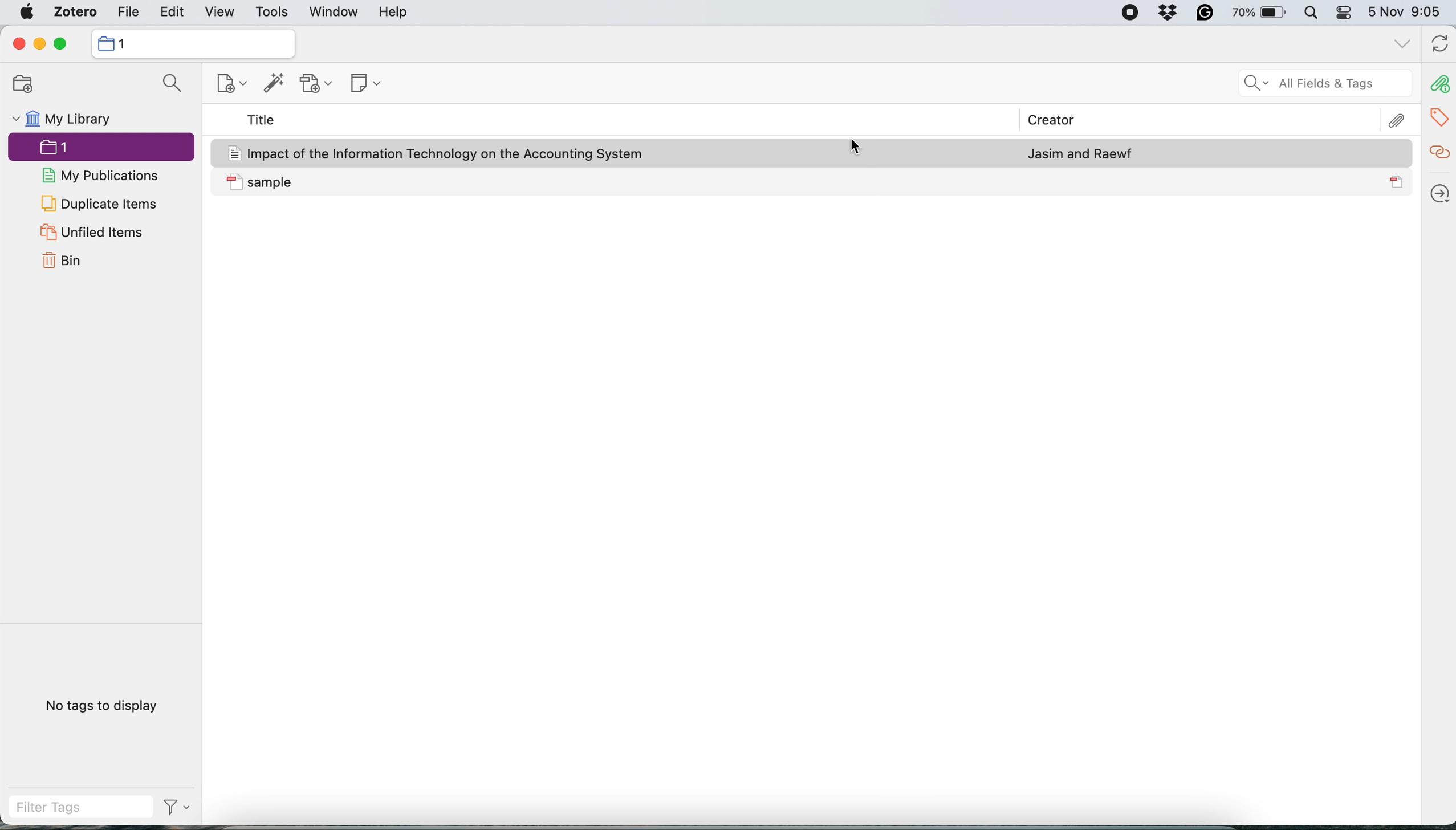 Image resolution: width=1456 pixels, height=830 pixels. Describe the element at coordinates (127, 14) in the screenshot. I see `edit` at that location.